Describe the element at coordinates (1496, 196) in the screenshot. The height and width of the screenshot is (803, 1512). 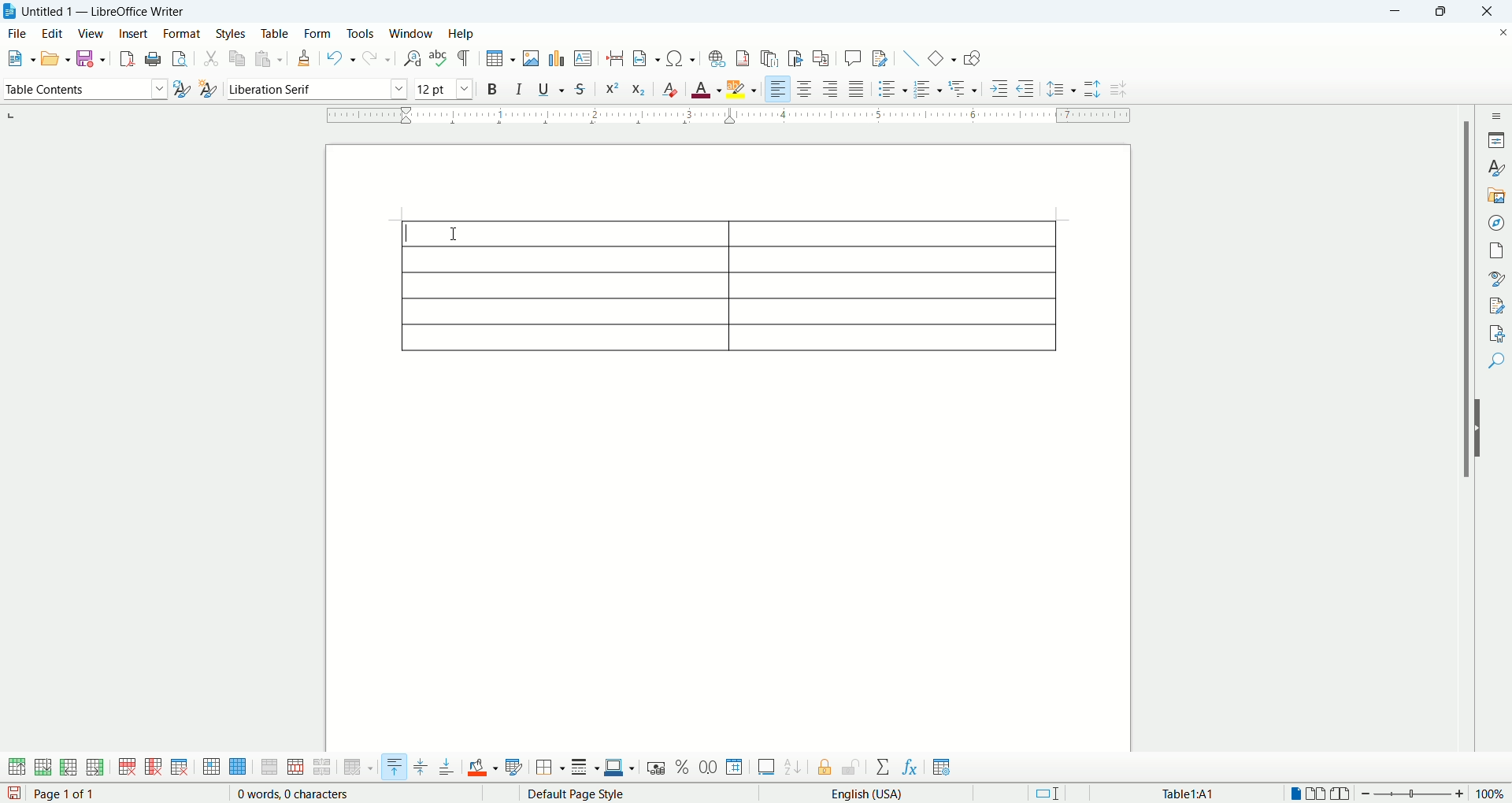
I see `gallery` at that location.